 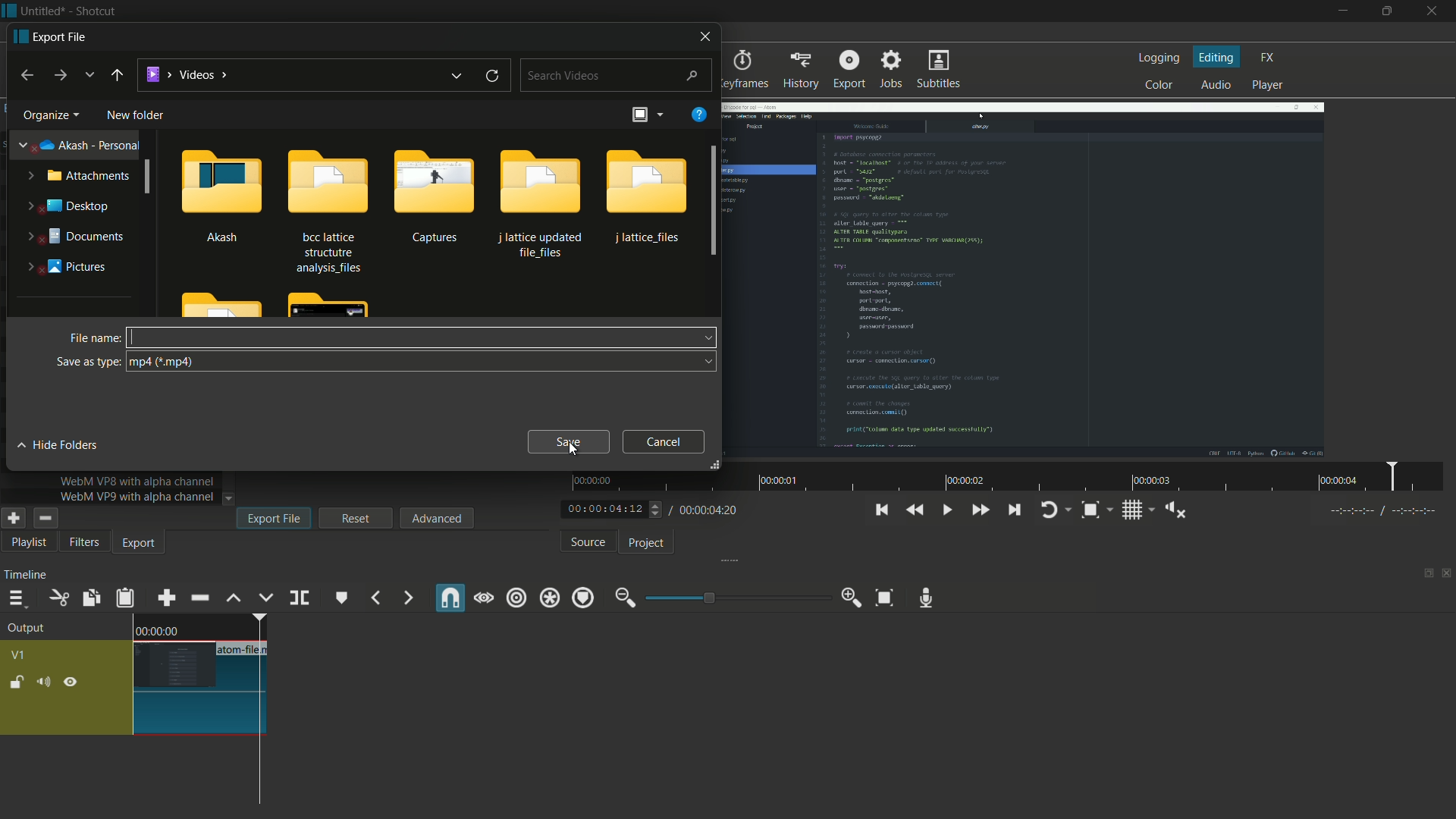 What do you see at coordinates (223, 195) in the screenshot?
I see `folder-1` at bounding box center [223, 195].